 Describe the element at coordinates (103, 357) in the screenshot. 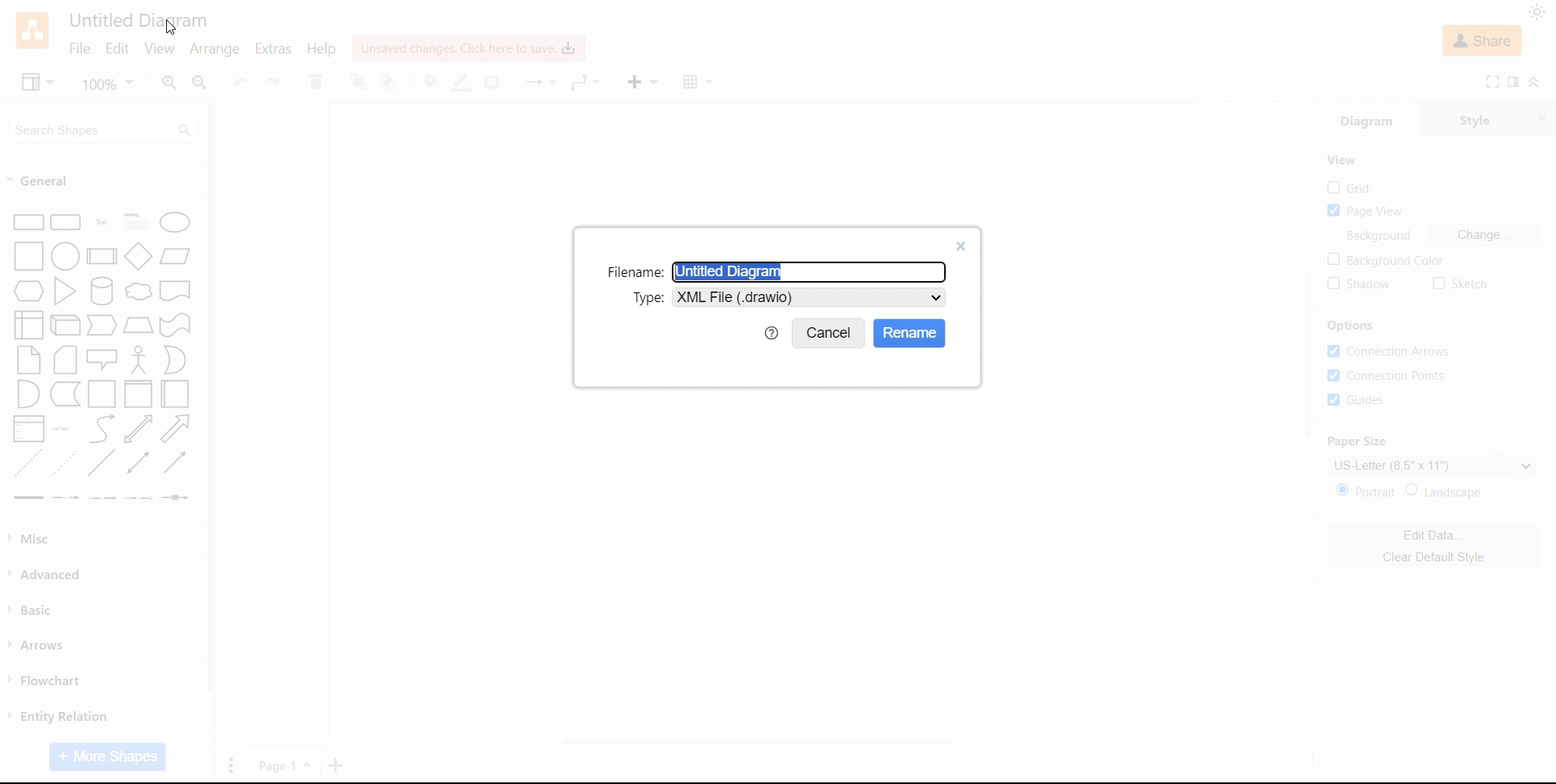

I see `Shapes library ` at that location.